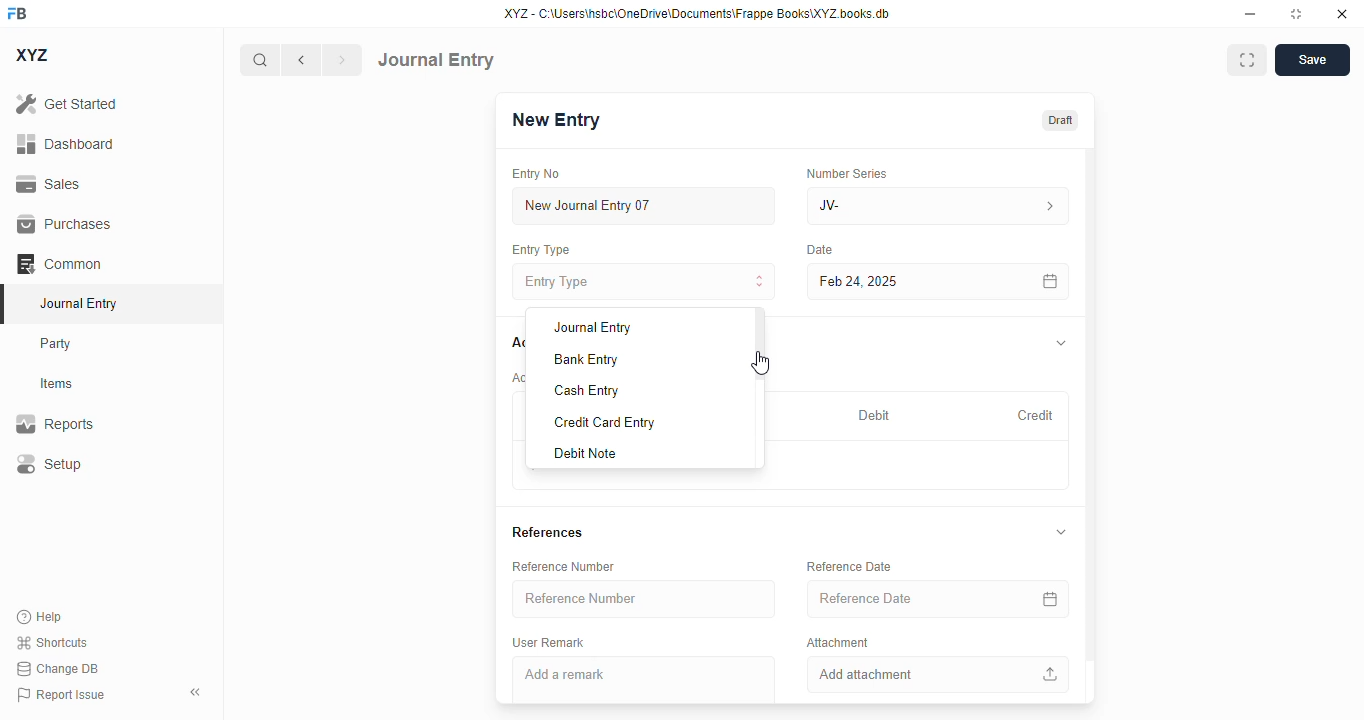 The height and width of the screenshot is (720, 1364). Describe the element at coordinates (57, 668) in the screenshot. I see `change DB` at that location.